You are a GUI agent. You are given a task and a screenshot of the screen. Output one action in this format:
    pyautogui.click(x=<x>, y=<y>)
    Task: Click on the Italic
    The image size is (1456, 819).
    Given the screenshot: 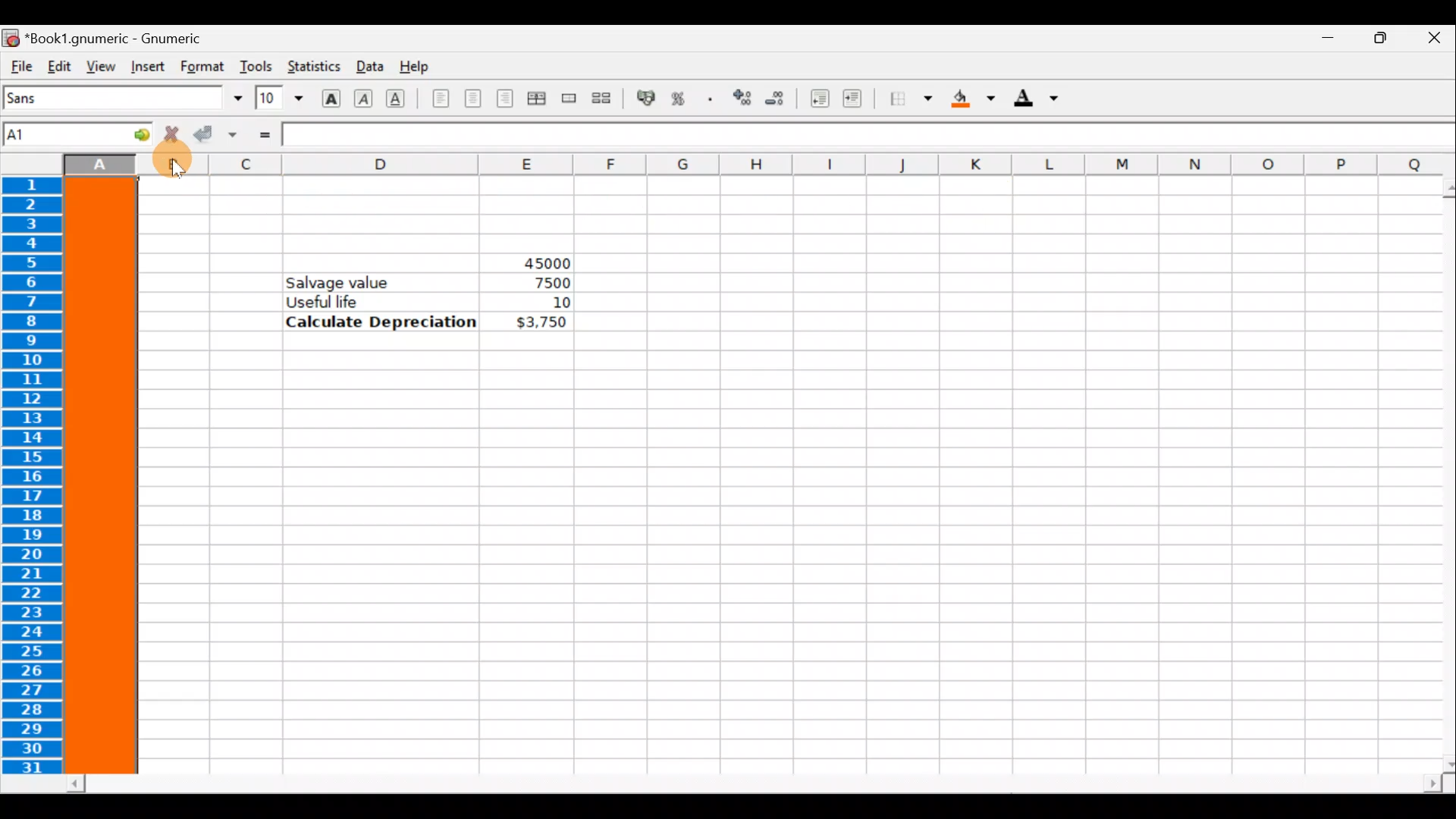 What is the action you would take?
    pyautogui.click(x=366, y=96)
    